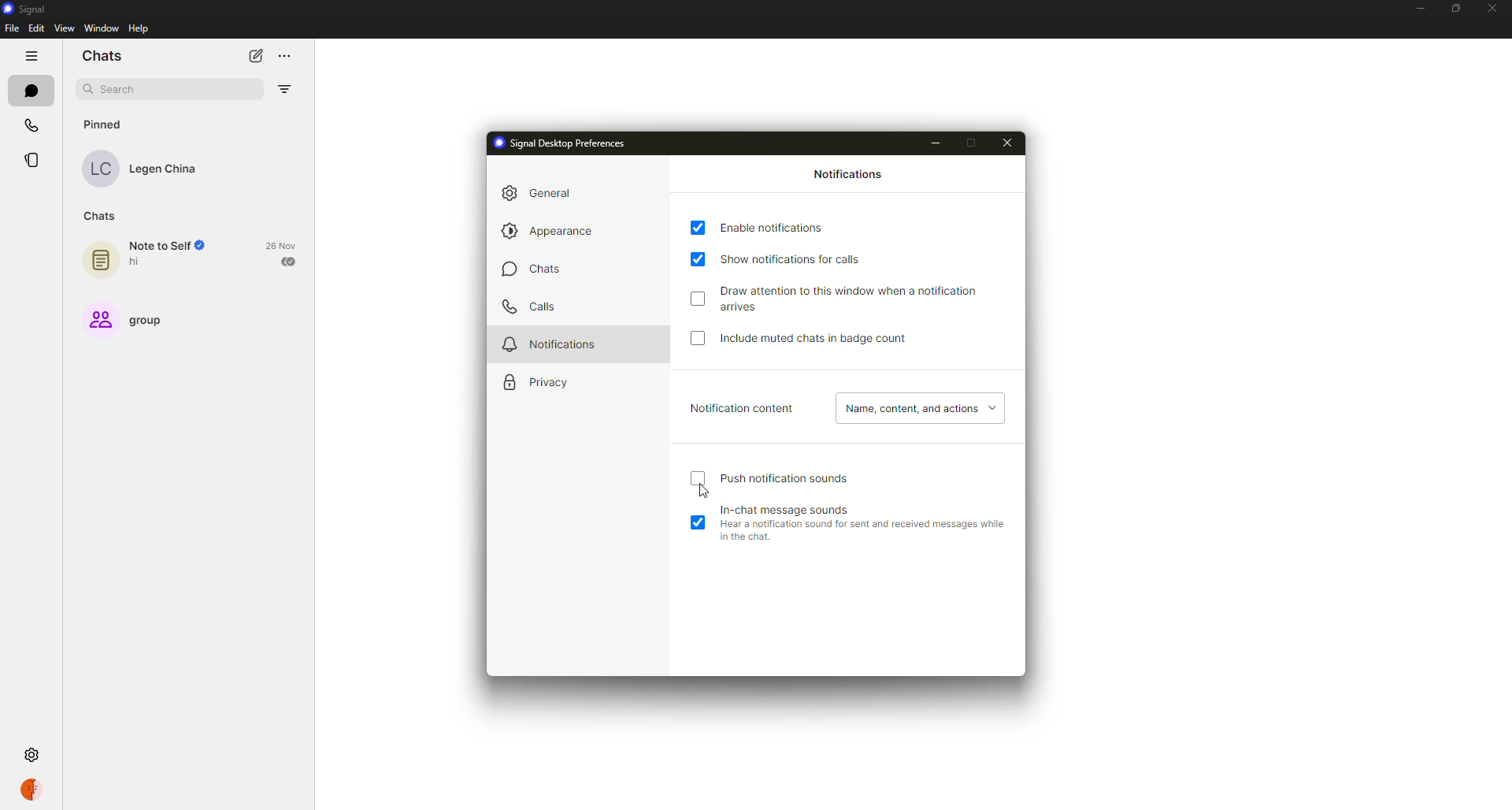  I want to click on chats, so click(30, 90).